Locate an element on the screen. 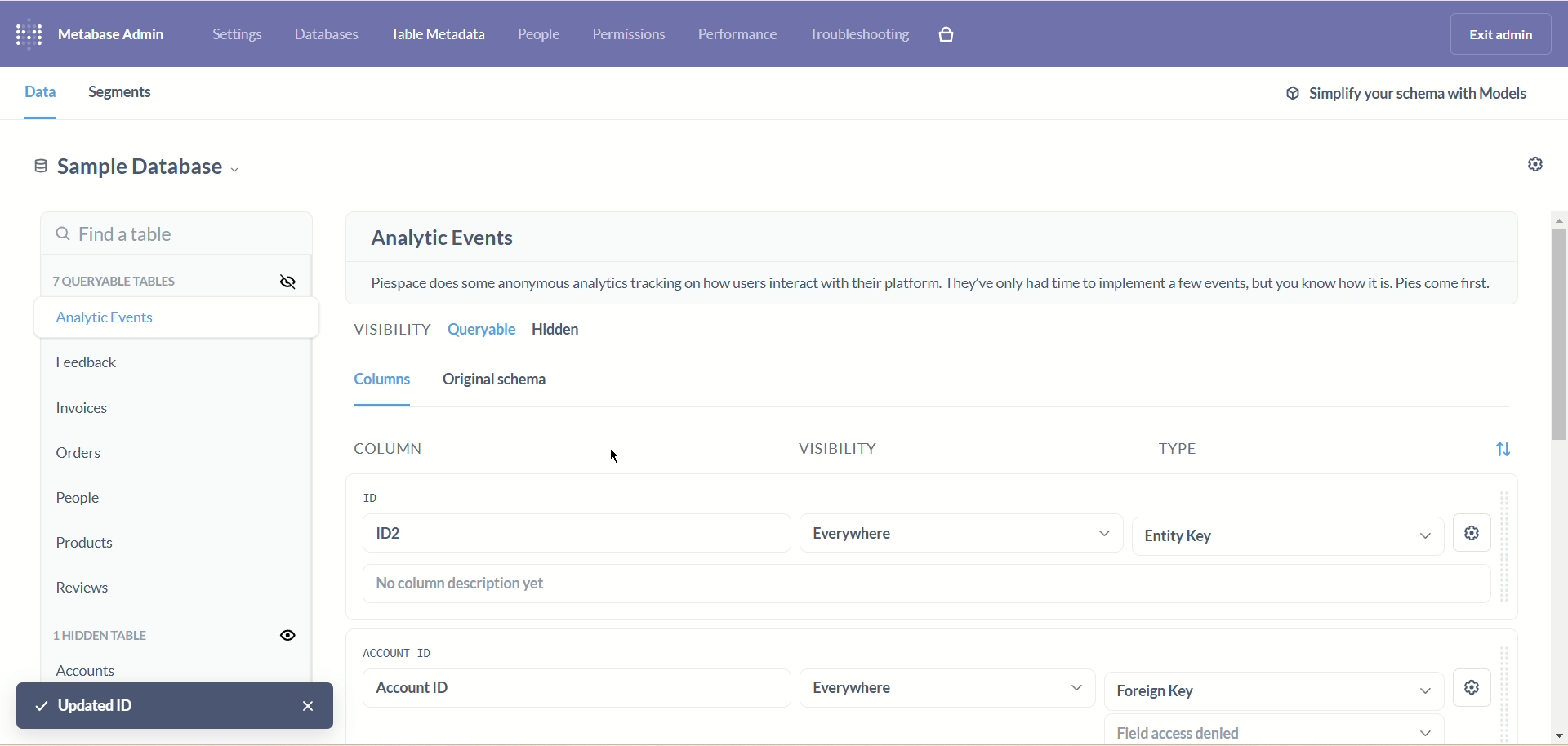 The image size is (1568, 746). account_id is located at coordinates (394, 651).